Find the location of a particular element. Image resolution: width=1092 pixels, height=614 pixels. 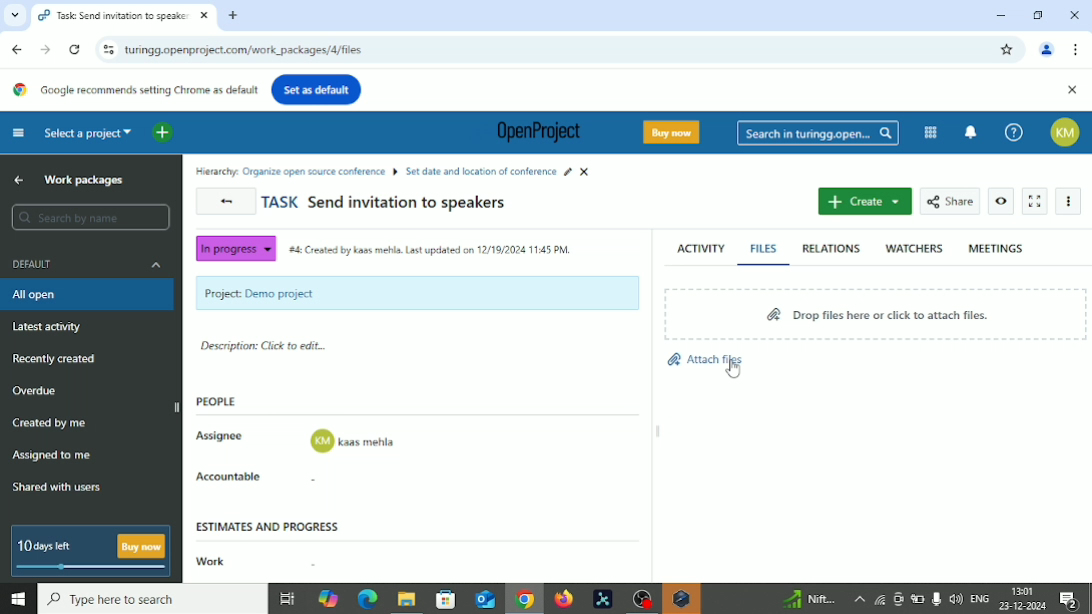

Watchers is located at coordinates (914, 248).